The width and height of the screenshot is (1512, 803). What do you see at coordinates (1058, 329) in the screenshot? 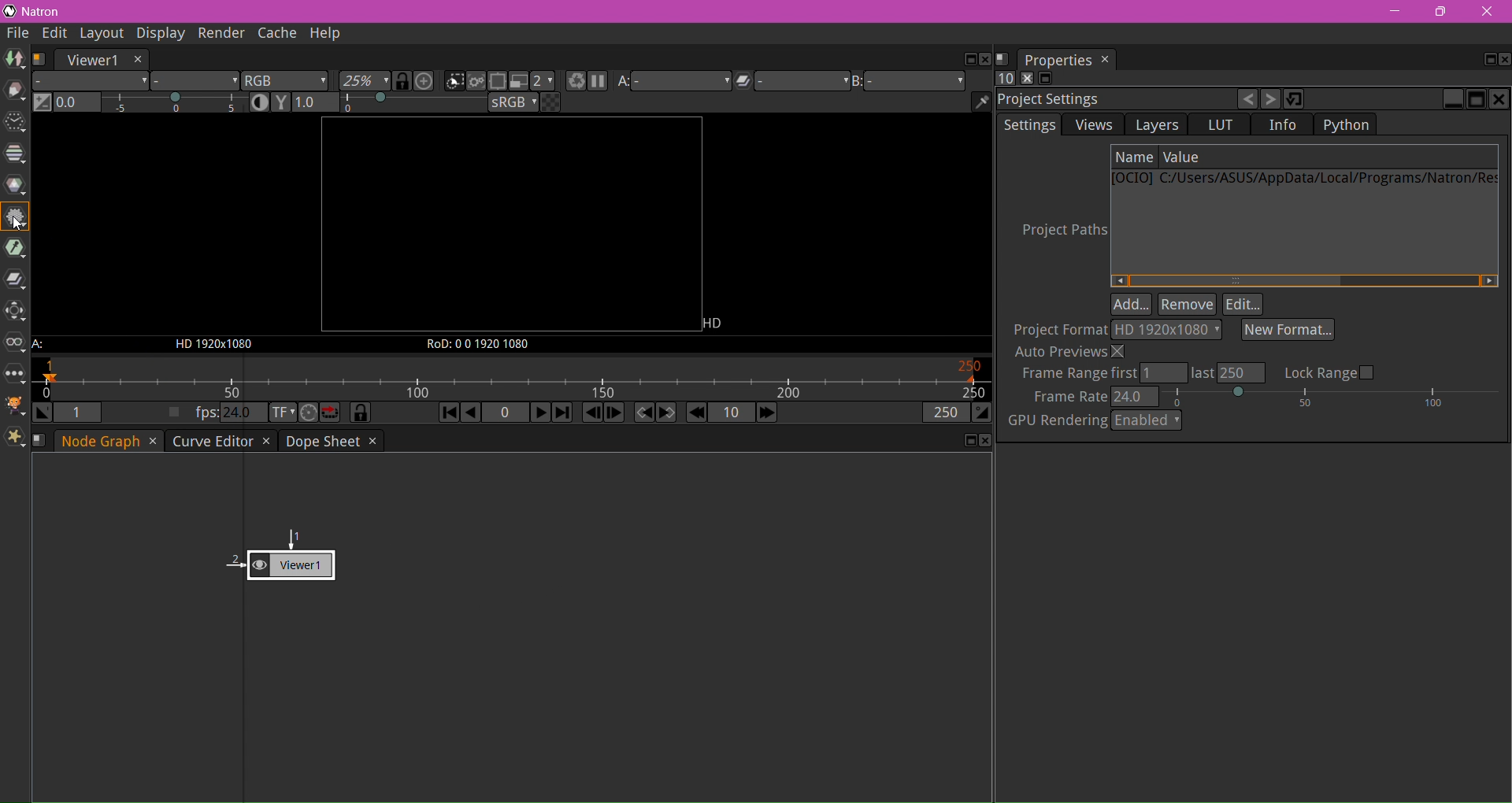
I see `Project Format` at bounding box center [1058, 329].